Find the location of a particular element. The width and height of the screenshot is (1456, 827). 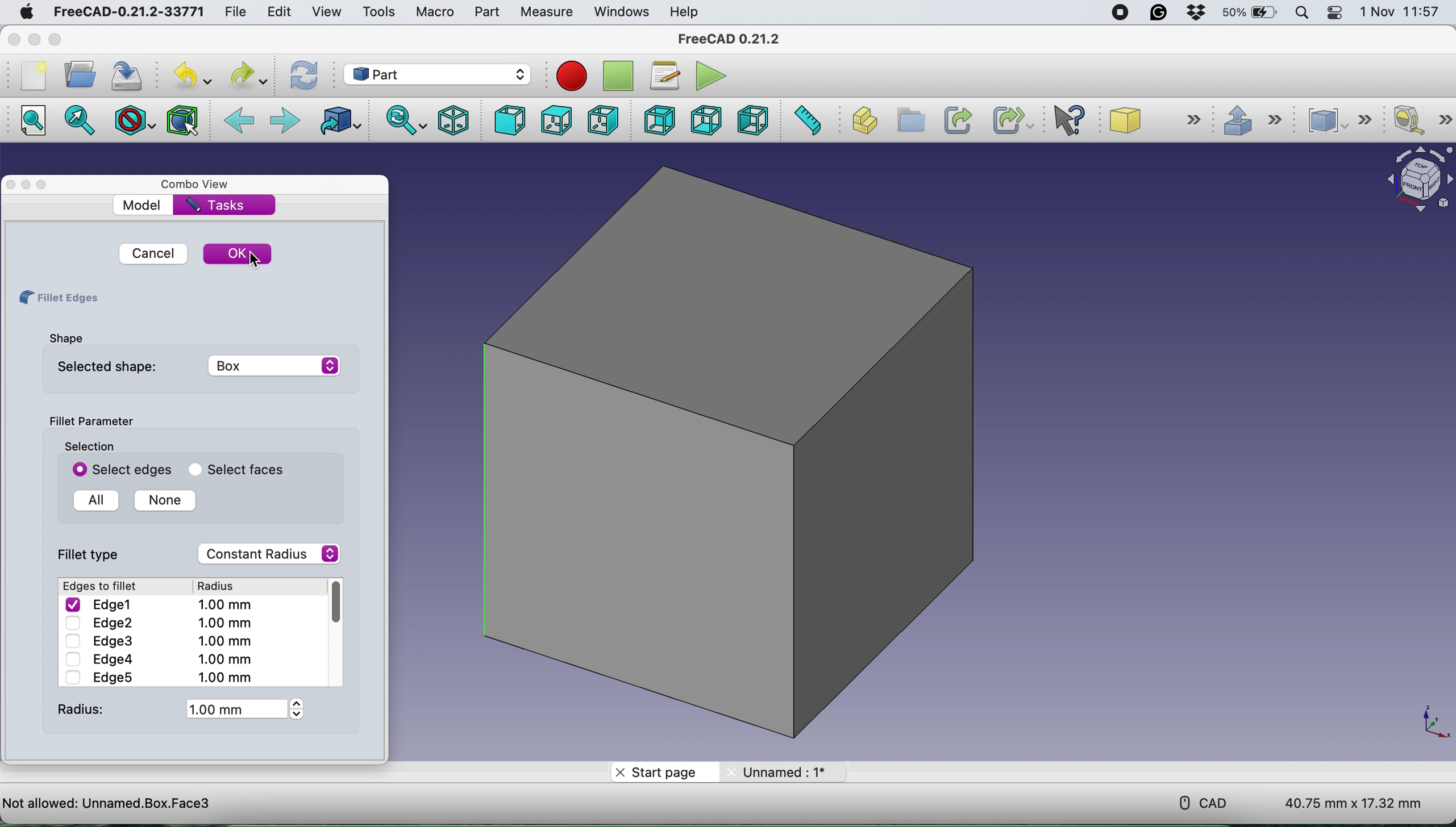

Edge3 is located at coordinates (157, 640).